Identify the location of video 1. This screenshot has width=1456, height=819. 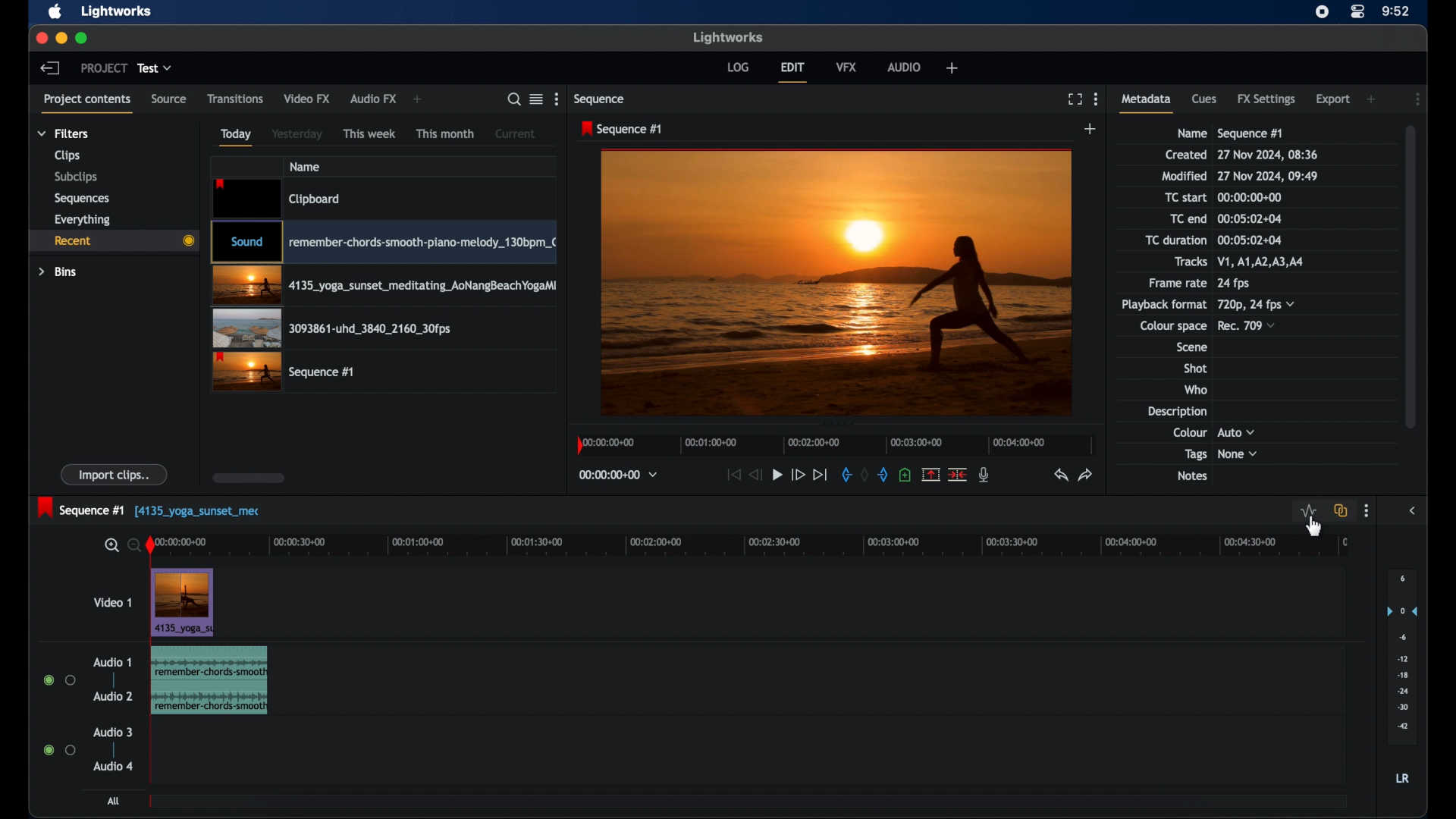
(111, 602).